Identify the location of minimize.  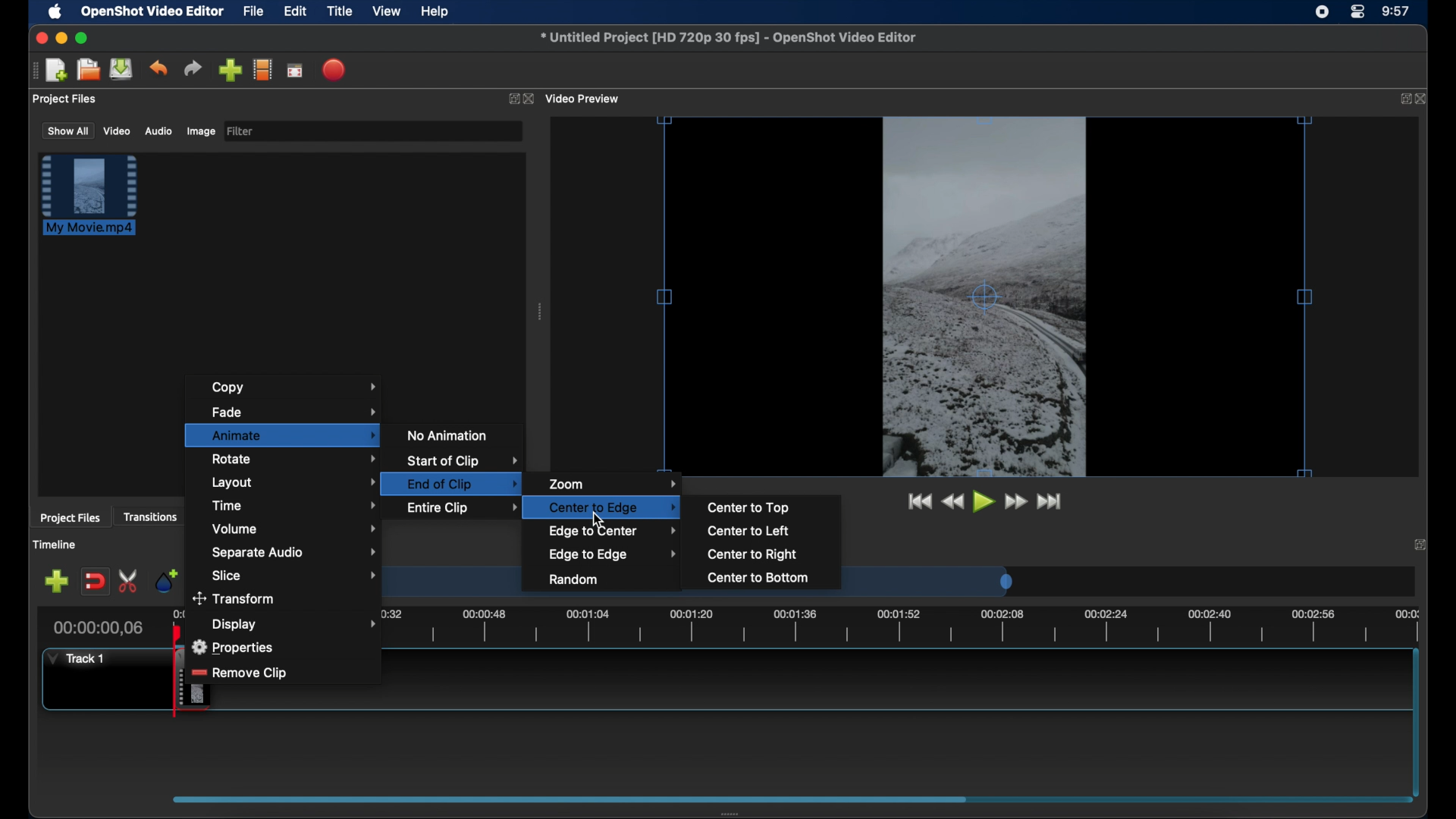
(61, 38).